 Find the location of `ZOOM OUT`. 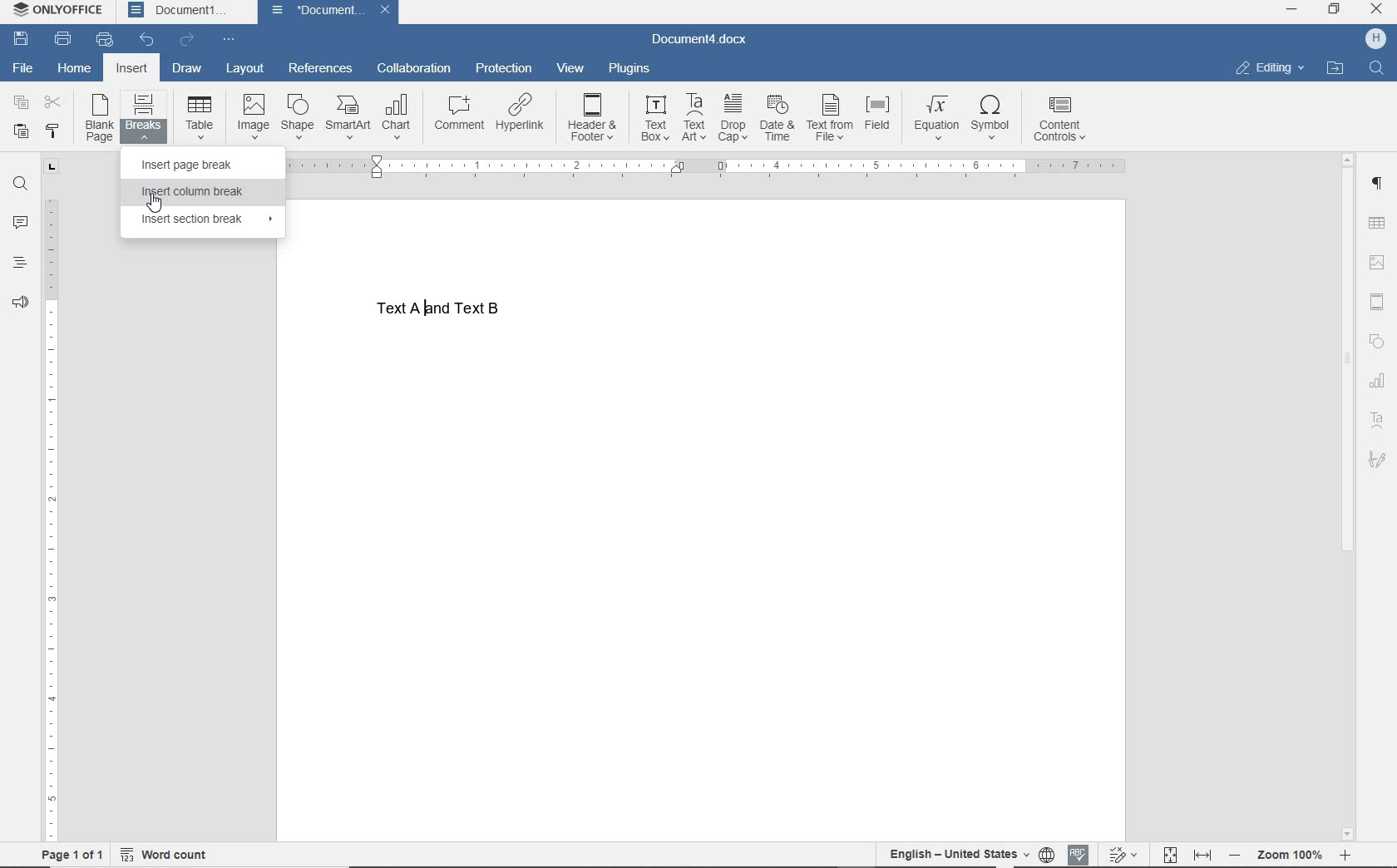

ZOOM OUT is located at coordinates (1290, 855).